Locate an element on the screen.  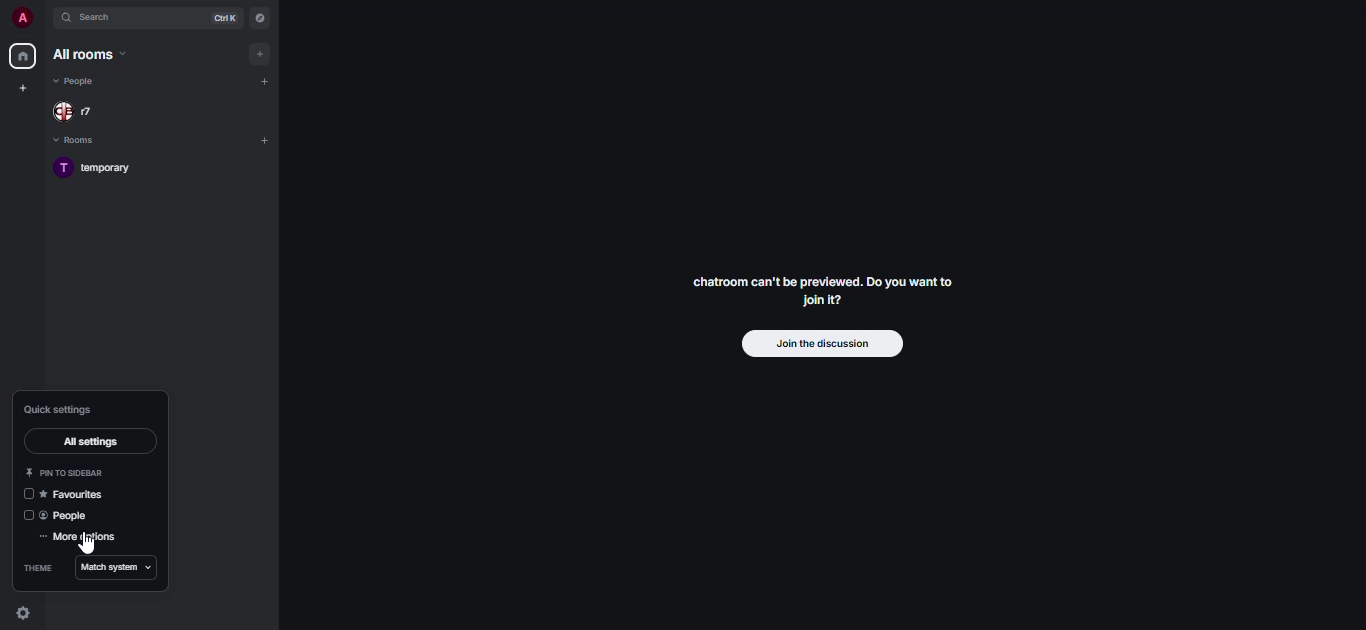
join the discussion is located at coordinates (823, 344).